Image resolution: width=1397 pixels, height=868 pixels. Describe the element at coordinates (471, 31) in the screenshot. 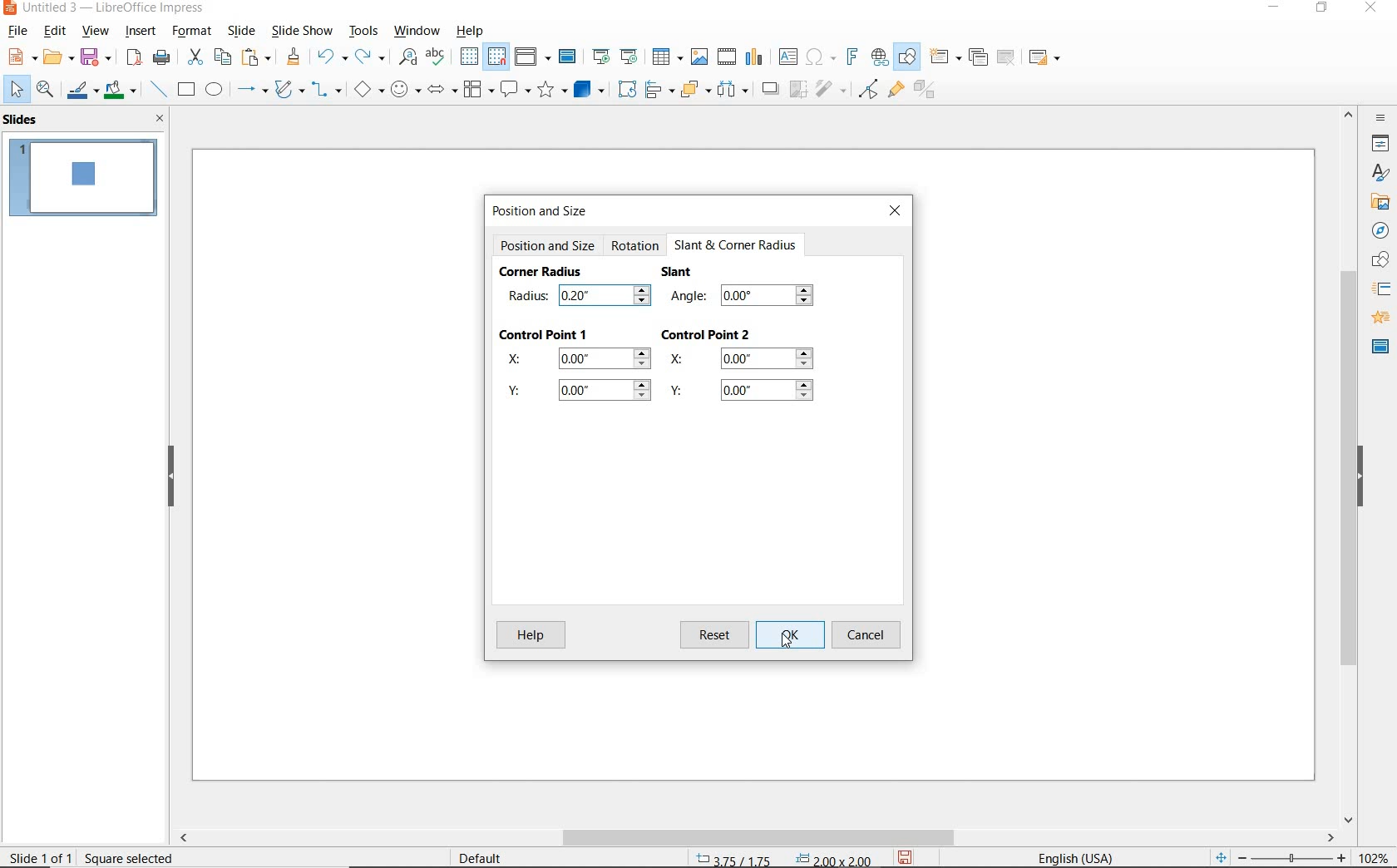

I see `help` at that location.